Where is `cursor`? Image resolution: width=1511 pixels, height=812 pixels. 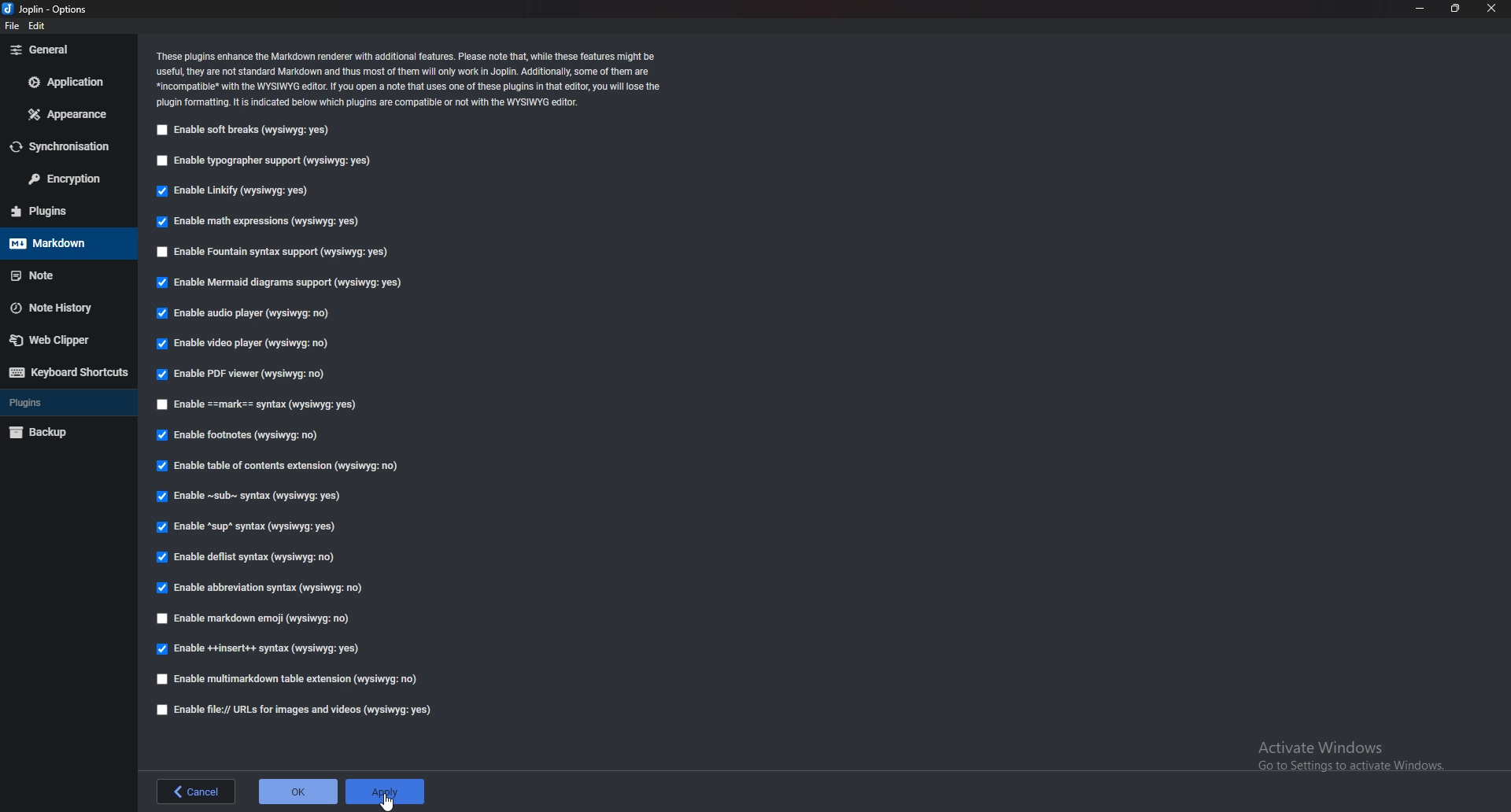
cursor is located at coordinates (389, 798).